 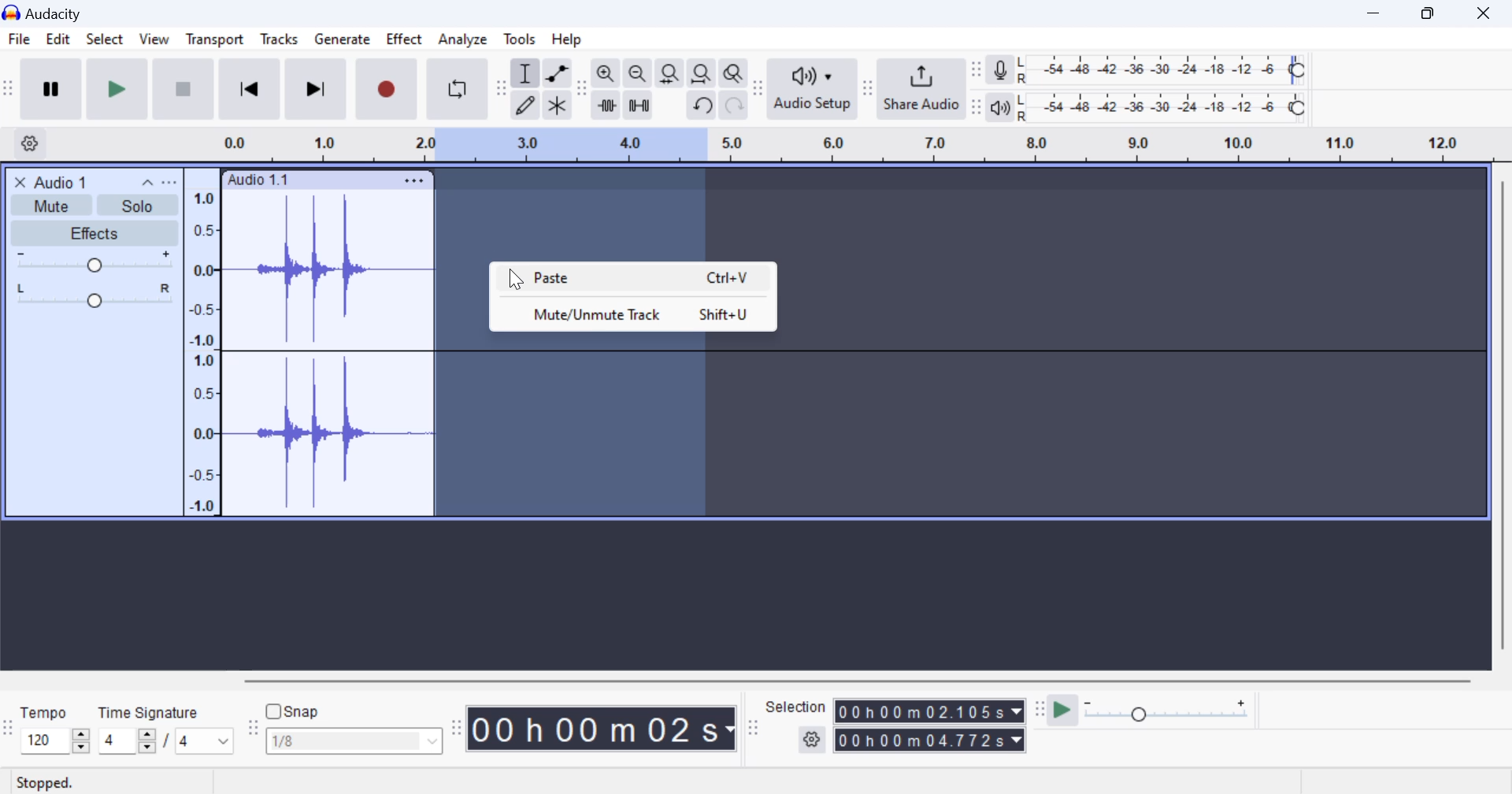 What do you see at coordinates (632, 314) in the screenshot?
I see `Mute/Unmute Track` at bounding box center [632, 314].